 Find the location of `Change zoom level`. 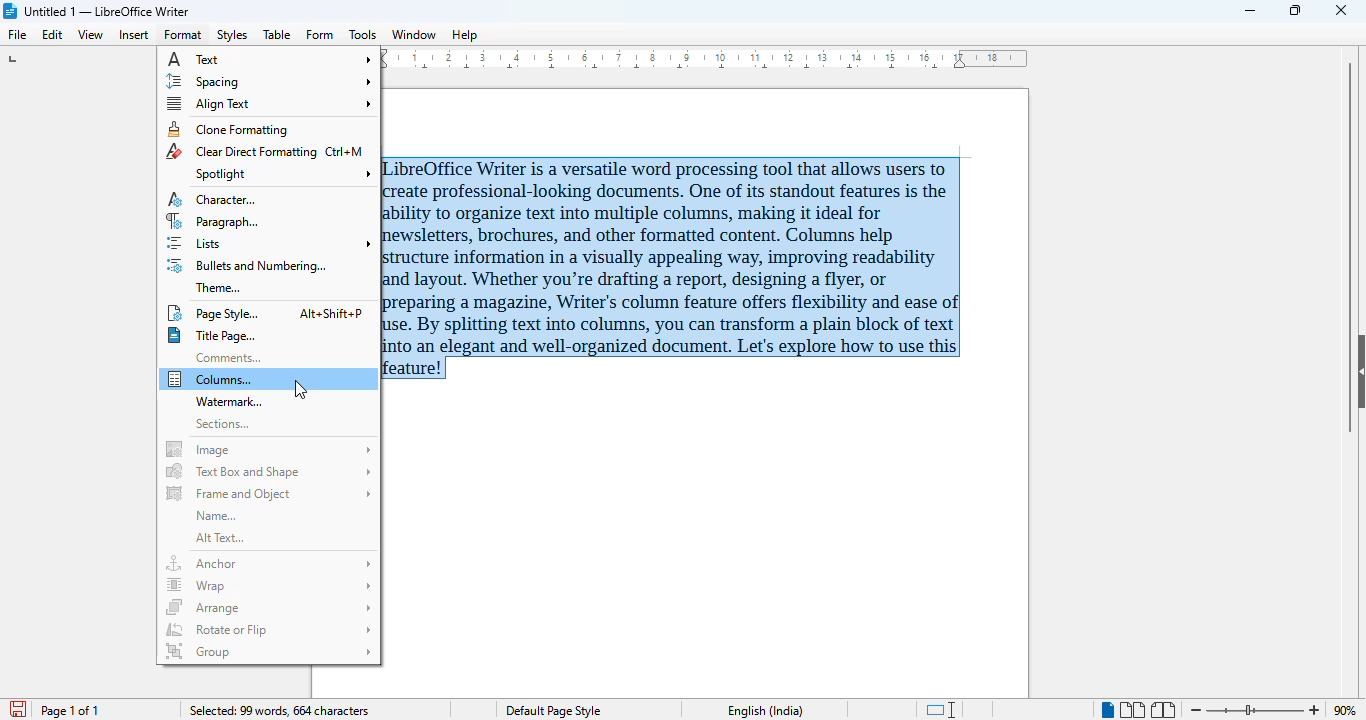

Change zoom level is located at coordinates (1256, 710).